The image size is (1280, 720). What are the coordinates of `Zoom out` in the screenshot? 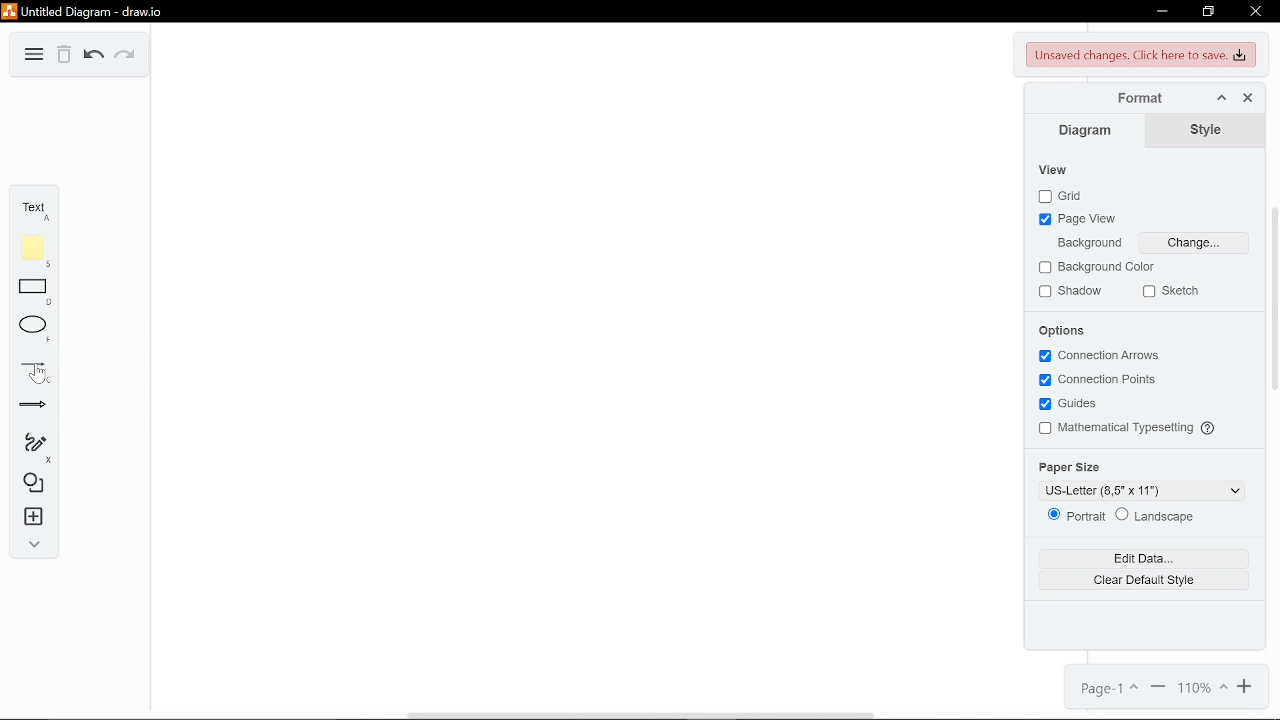 It's located at (1161, 688).